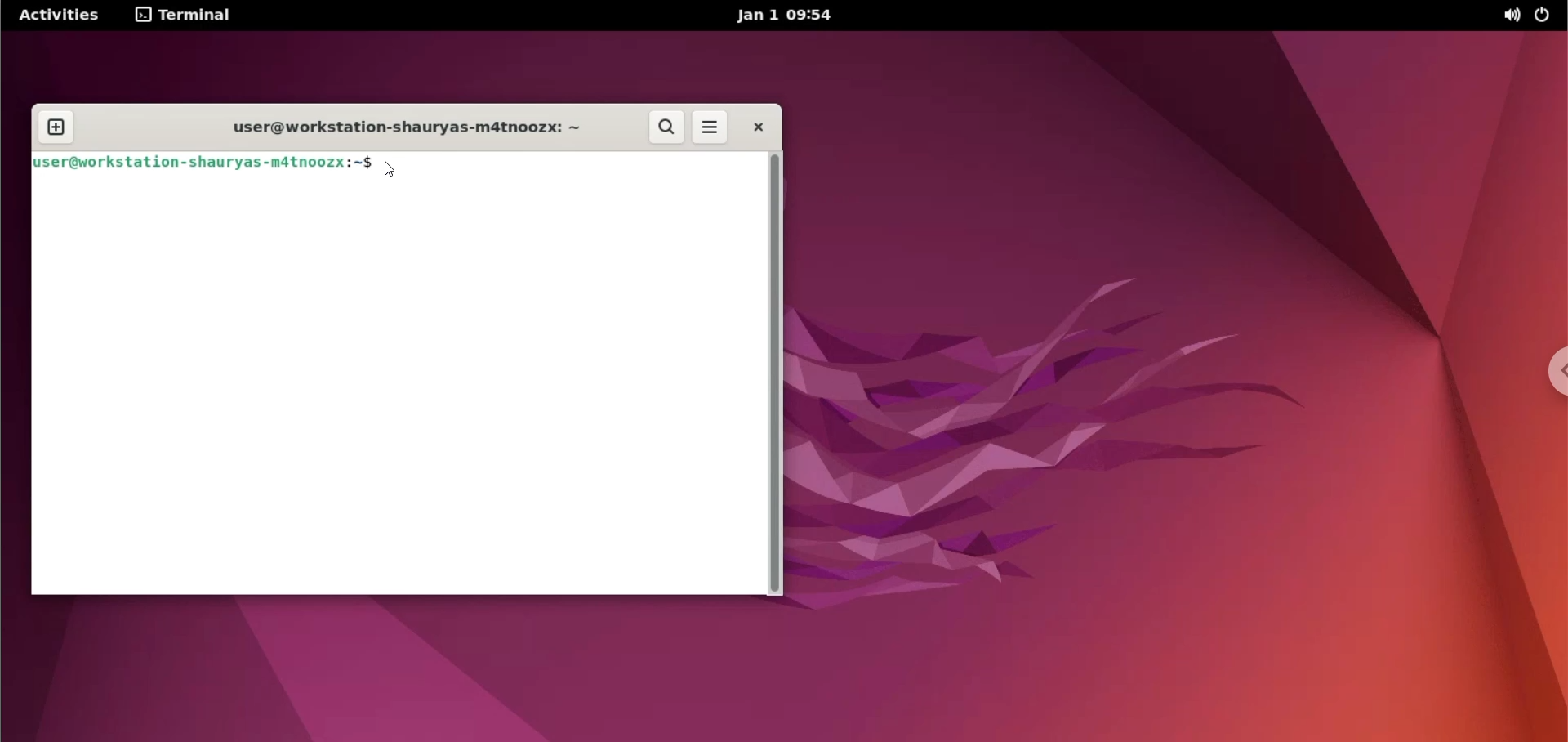 The width and height of the screenshot is (1568, 742). Describe the element at coordinates (663, 127) in the screenshot. I see `search` at that location.